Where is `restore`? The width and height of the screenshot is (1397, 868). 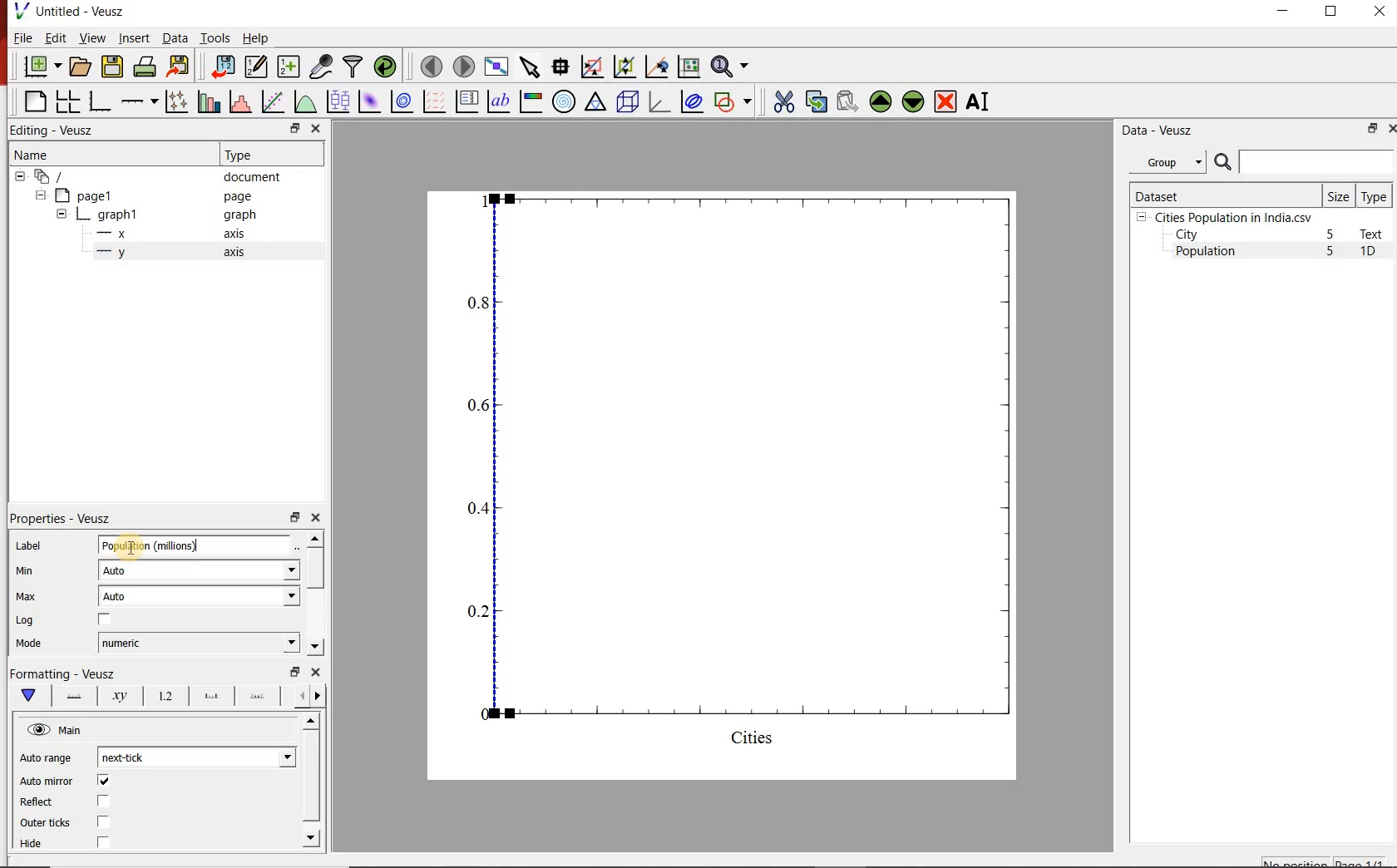 restore is located at coordinates (294, 516).